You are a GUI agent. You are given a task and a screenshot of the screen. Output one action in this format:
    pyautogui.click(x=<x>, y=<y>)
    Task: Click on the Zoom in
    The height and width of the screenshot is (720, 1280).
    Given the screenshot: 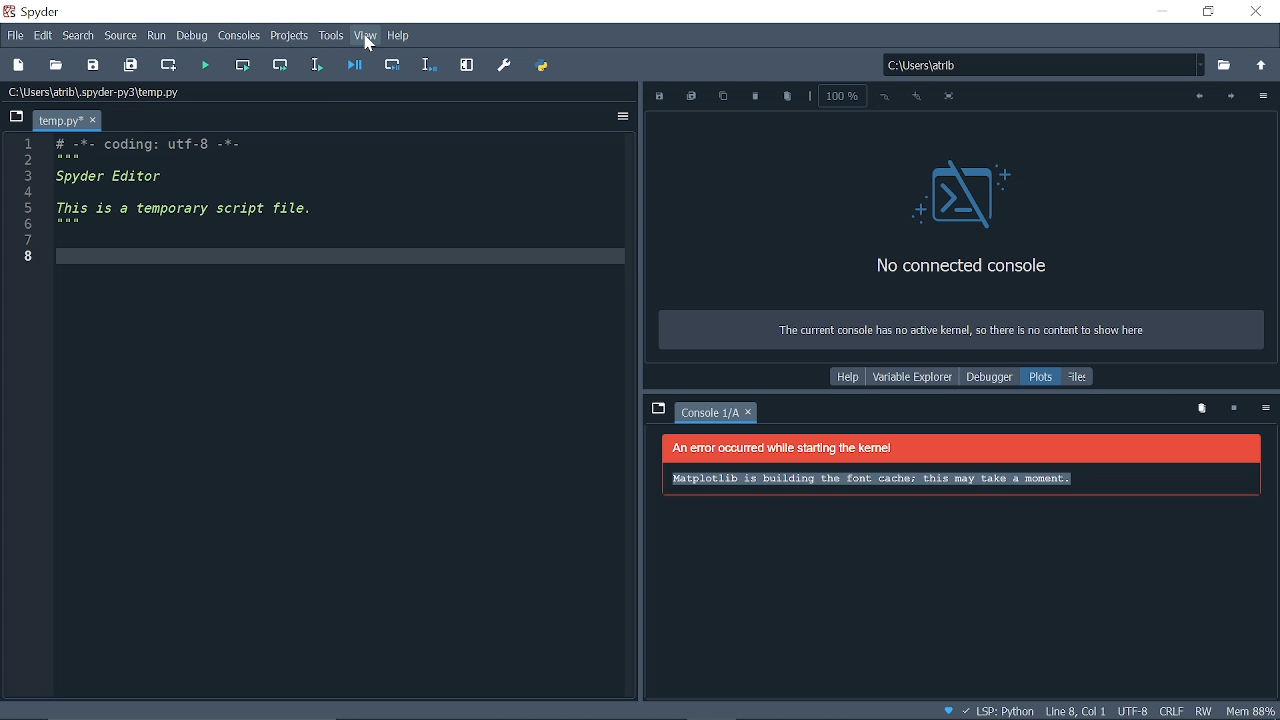 What is the action you would take?
    pyautogui.click(x=916, y=97)
    